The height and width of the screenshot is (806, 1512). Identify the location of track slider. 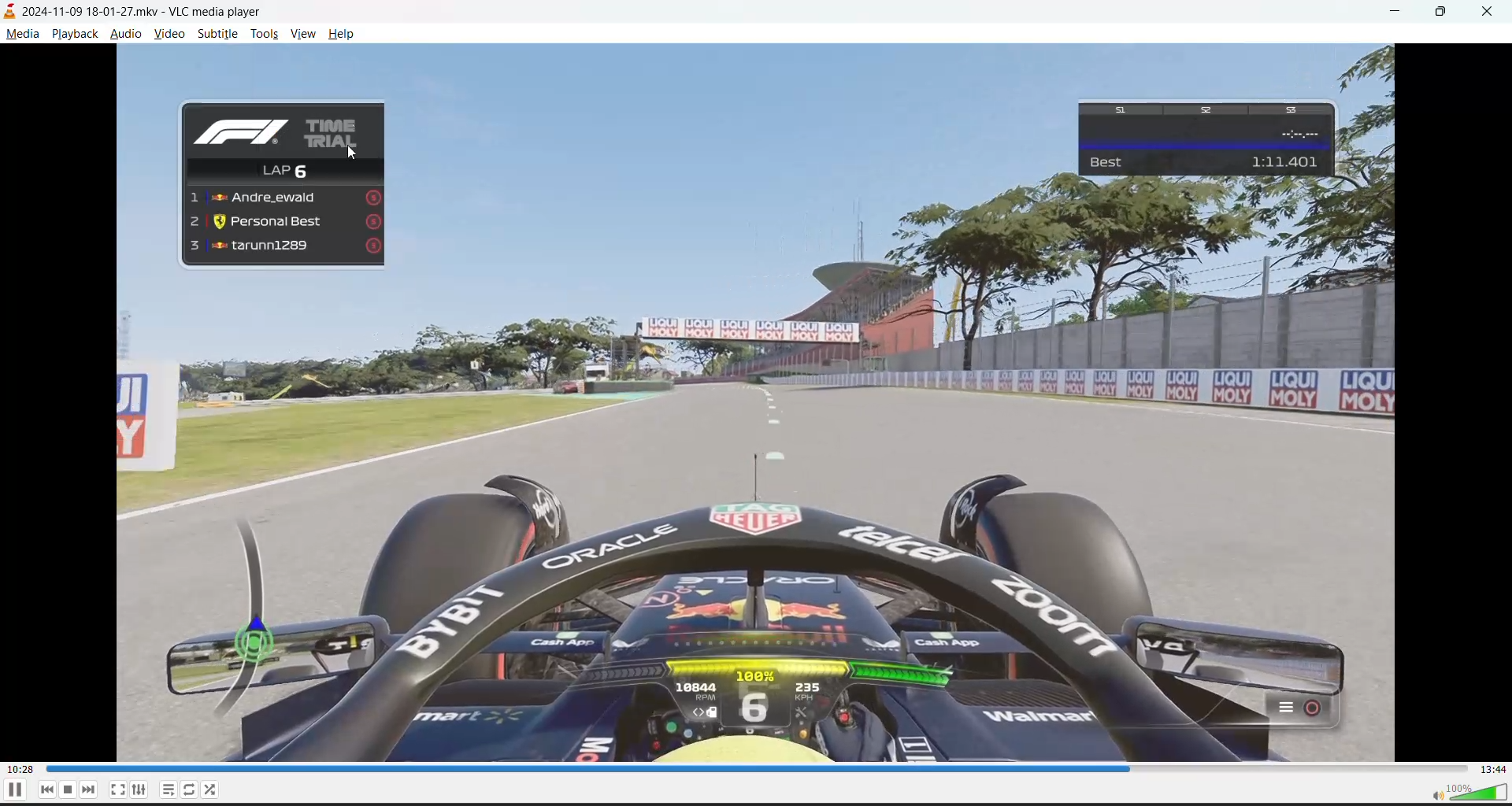
(752, 769).